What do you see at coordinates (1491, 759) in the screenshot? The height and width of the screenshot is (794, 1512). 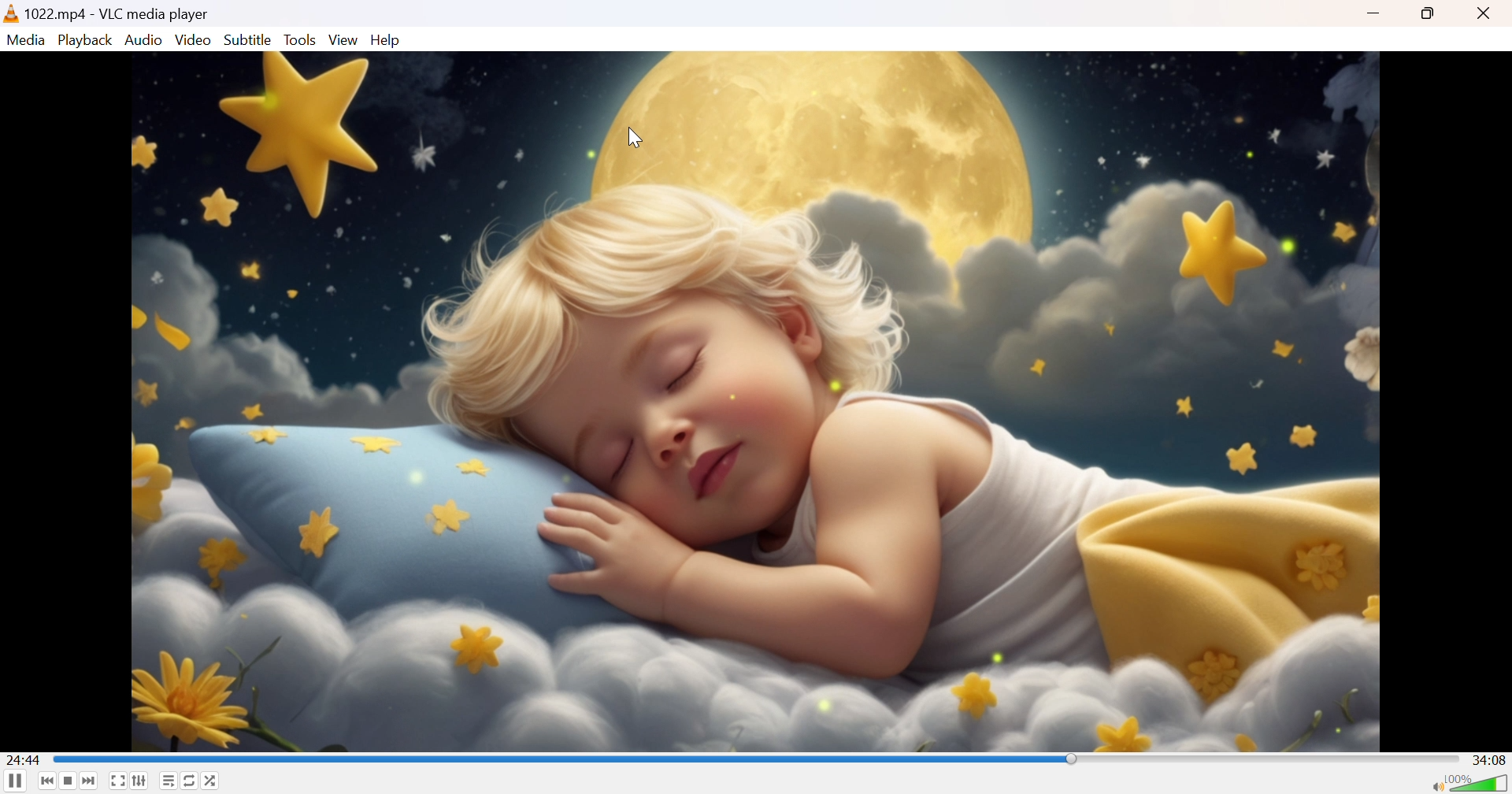 I see `34:08` at bounding box center [1491, 759].